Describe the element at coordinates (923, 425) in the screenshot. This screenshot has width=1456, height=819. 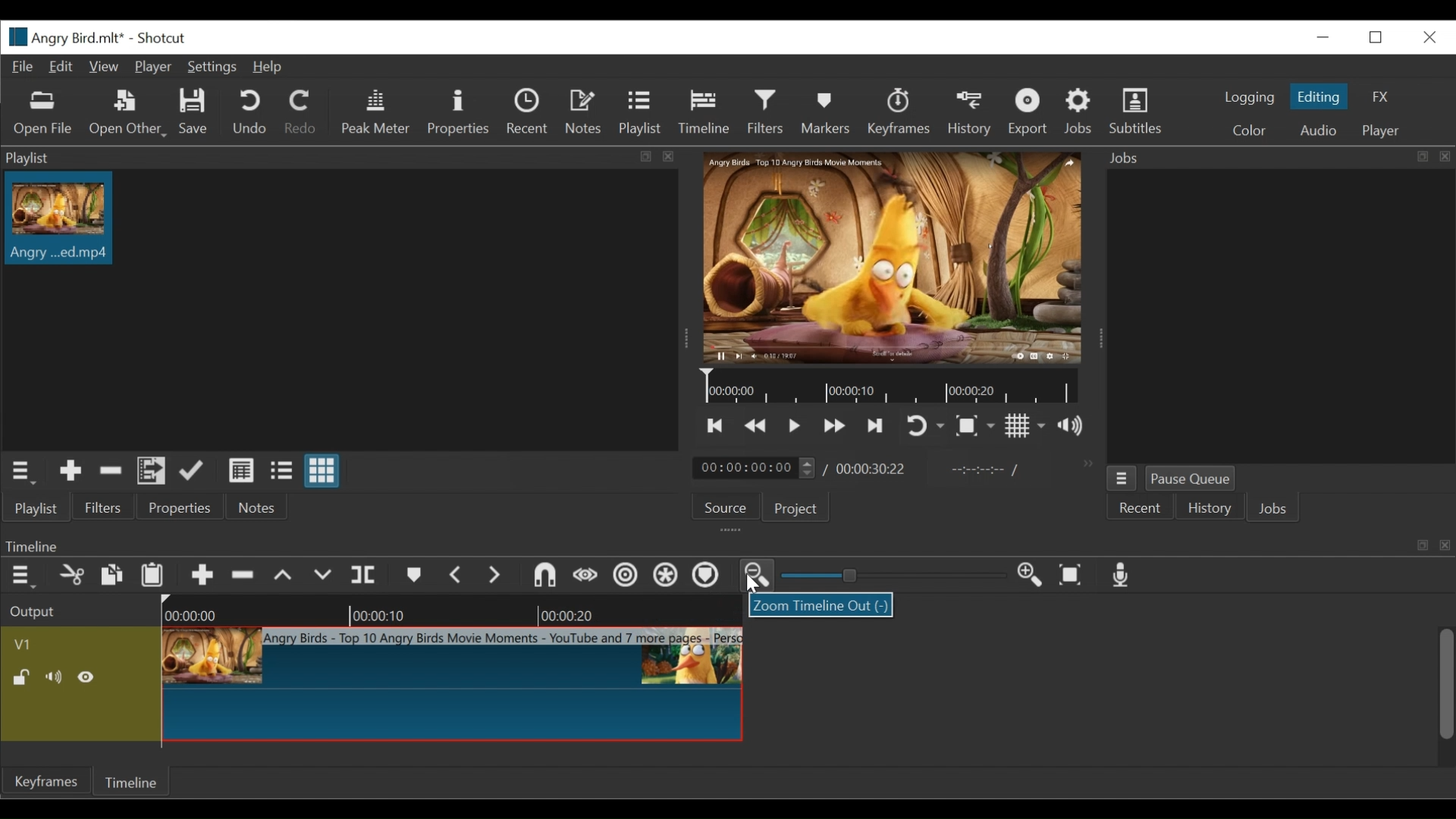
I see `Toggle player looping` at that location.